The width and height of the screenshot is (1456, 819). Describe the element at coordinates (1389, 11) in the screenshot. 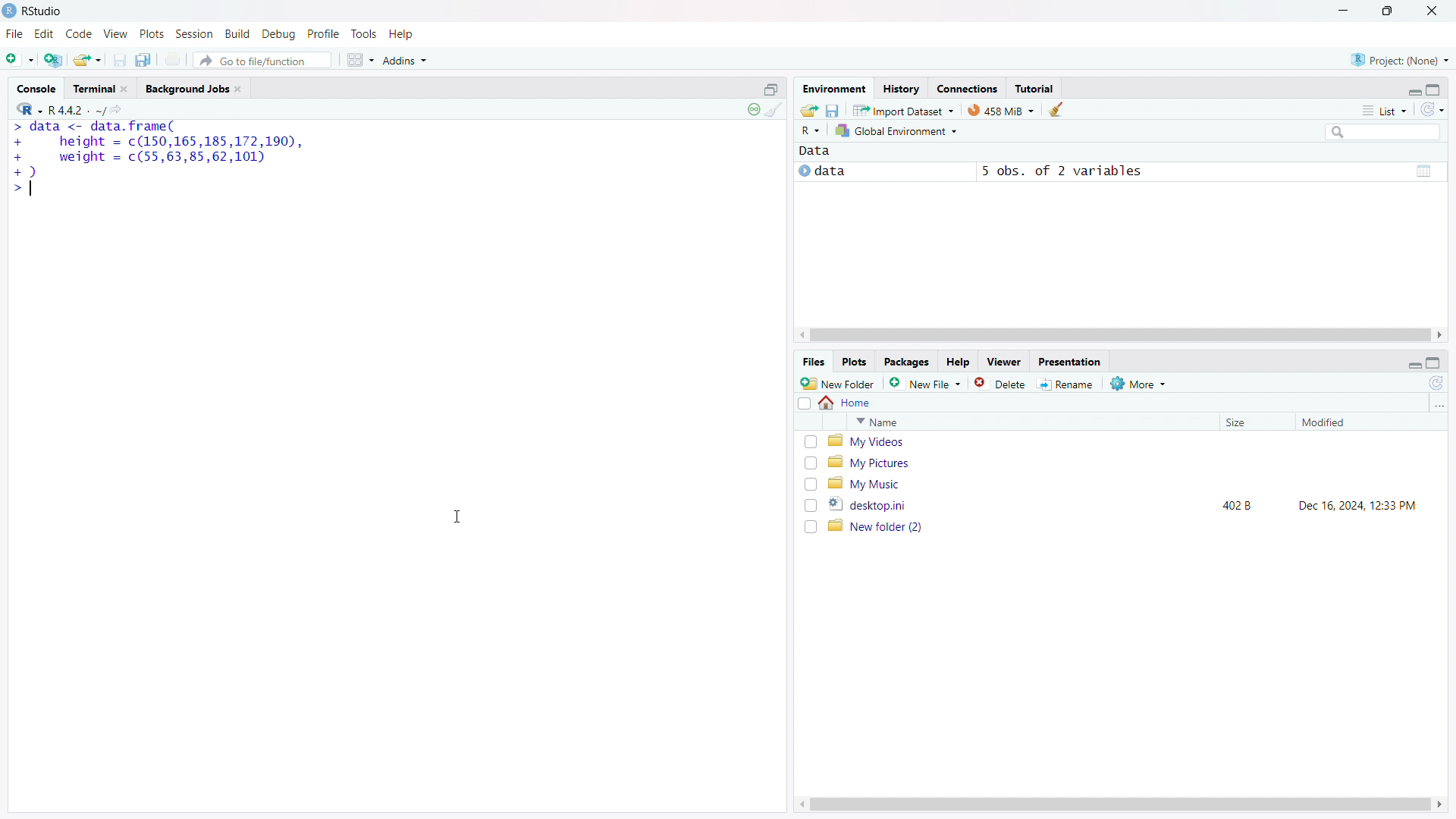

I see `maximize` at that location.